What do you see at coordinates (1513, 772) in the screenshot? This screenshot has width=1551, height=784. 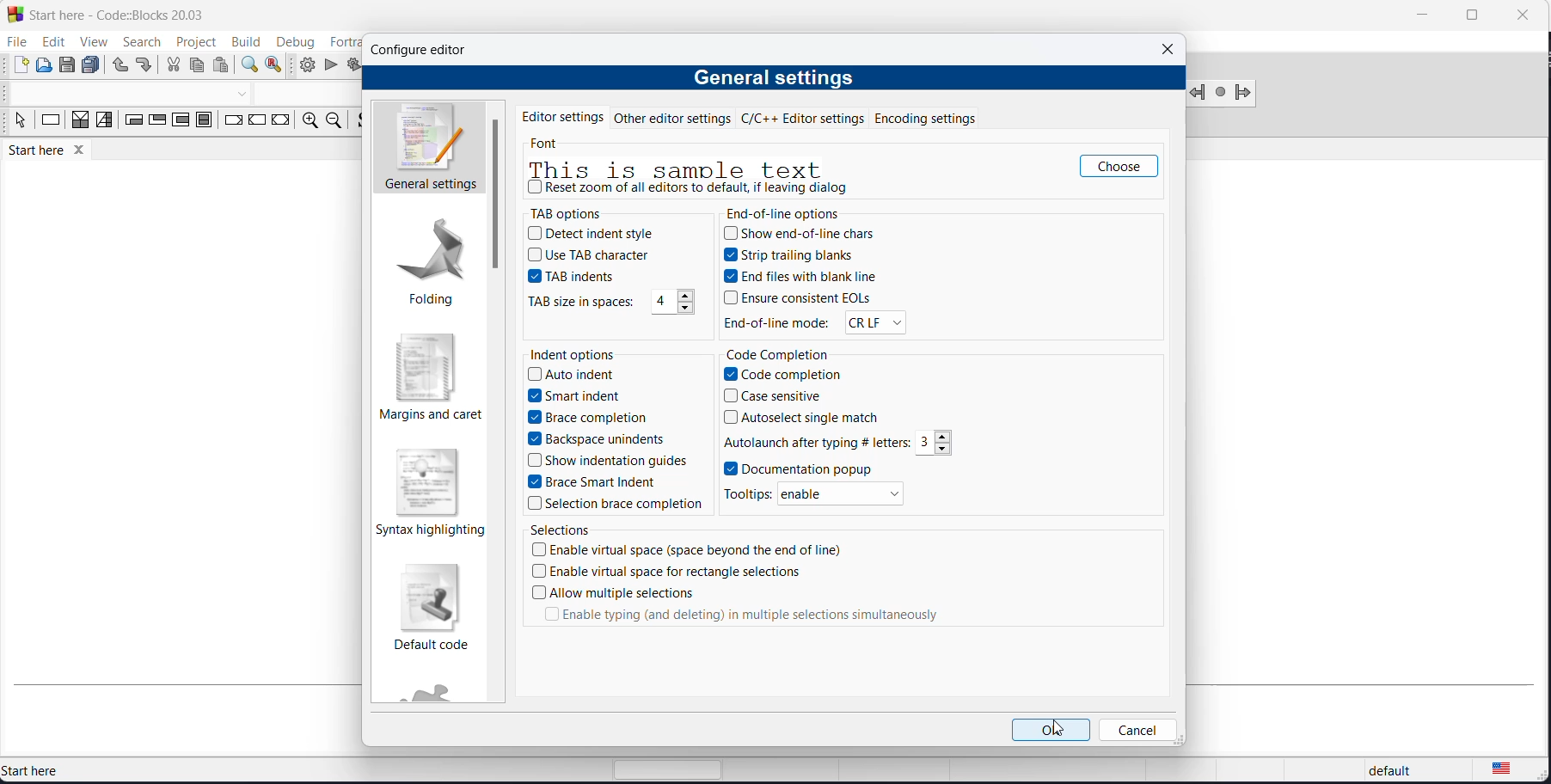 I see `text languge` at bounding box center [1513, 772].